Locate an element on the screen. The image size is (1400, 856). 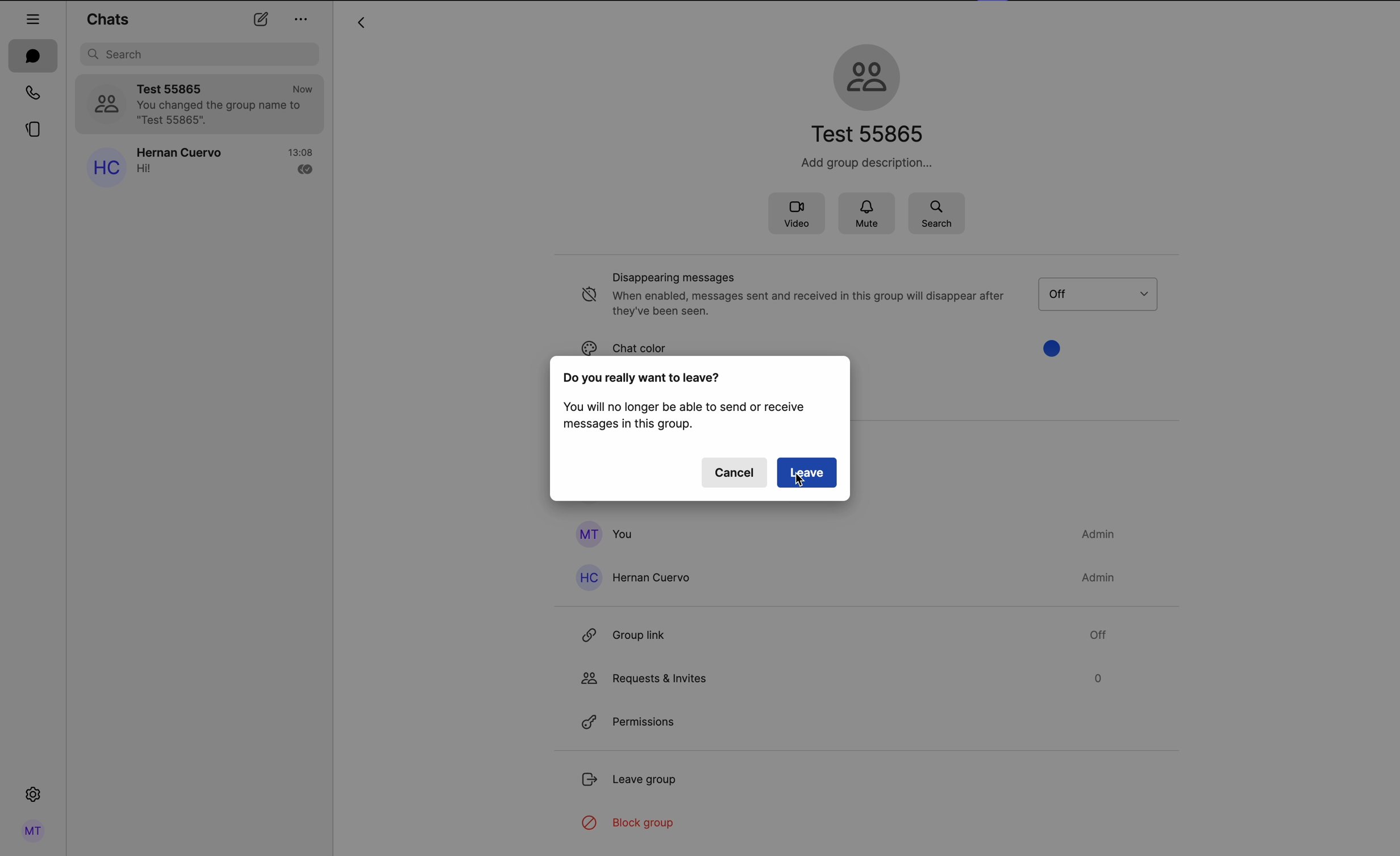
cancel button is located at coordinates (734, 472).